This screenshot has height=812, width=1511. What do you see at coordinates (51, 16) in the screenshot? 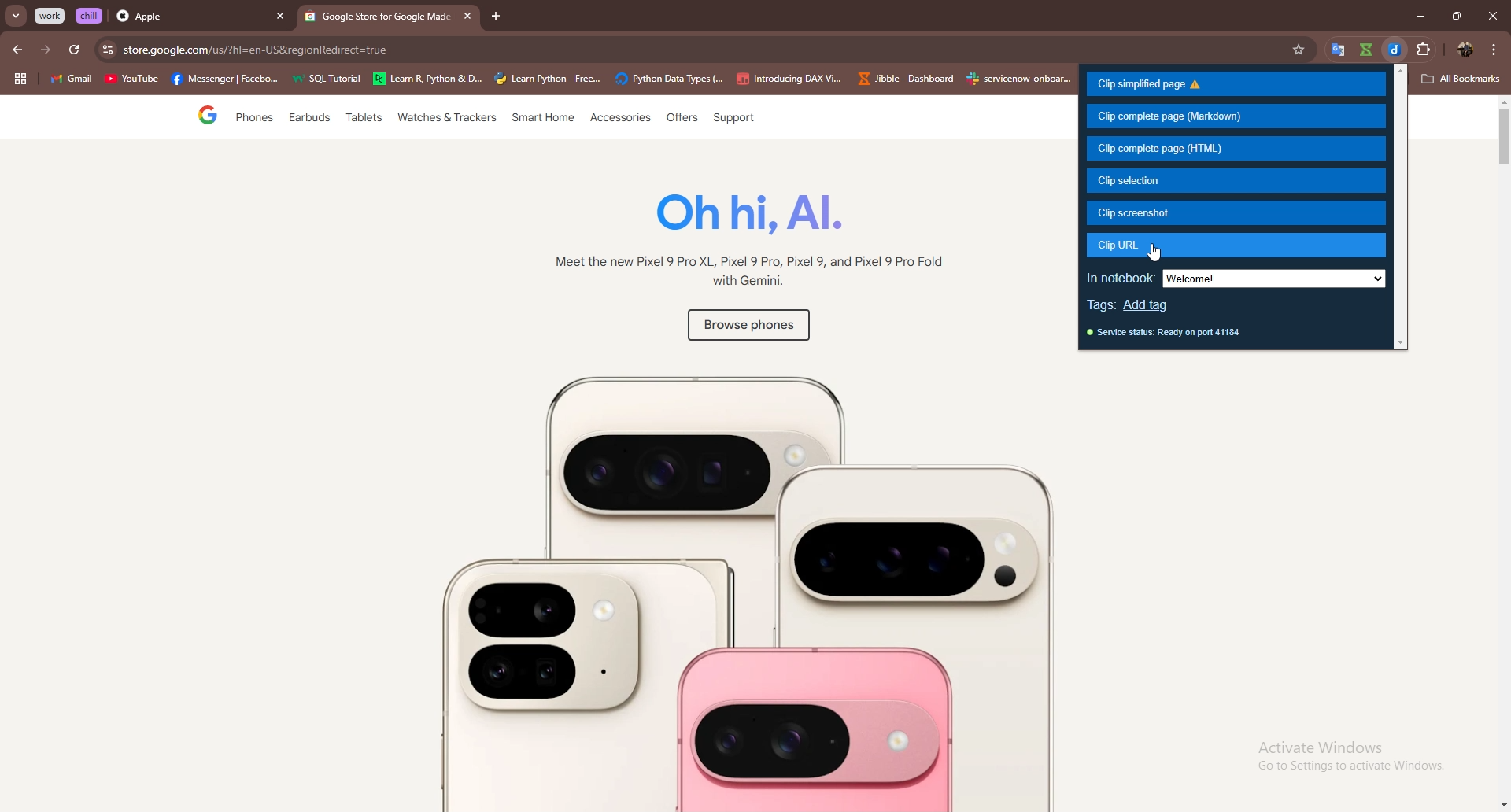
I see `work` at bounding box center [51, 16].